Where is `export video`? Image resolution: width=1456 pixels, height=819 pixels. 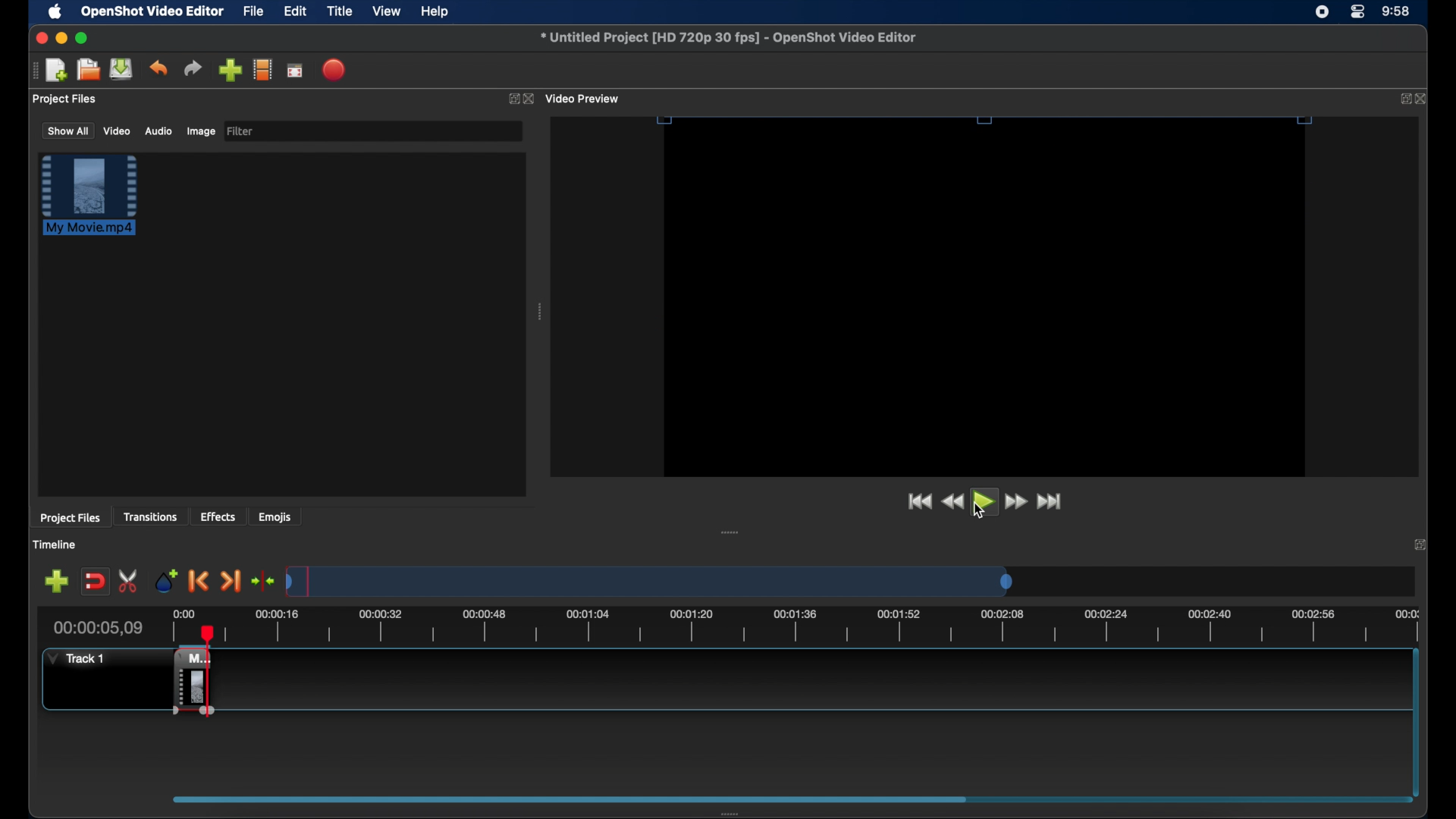
export video is located at coordinates (335, 70).